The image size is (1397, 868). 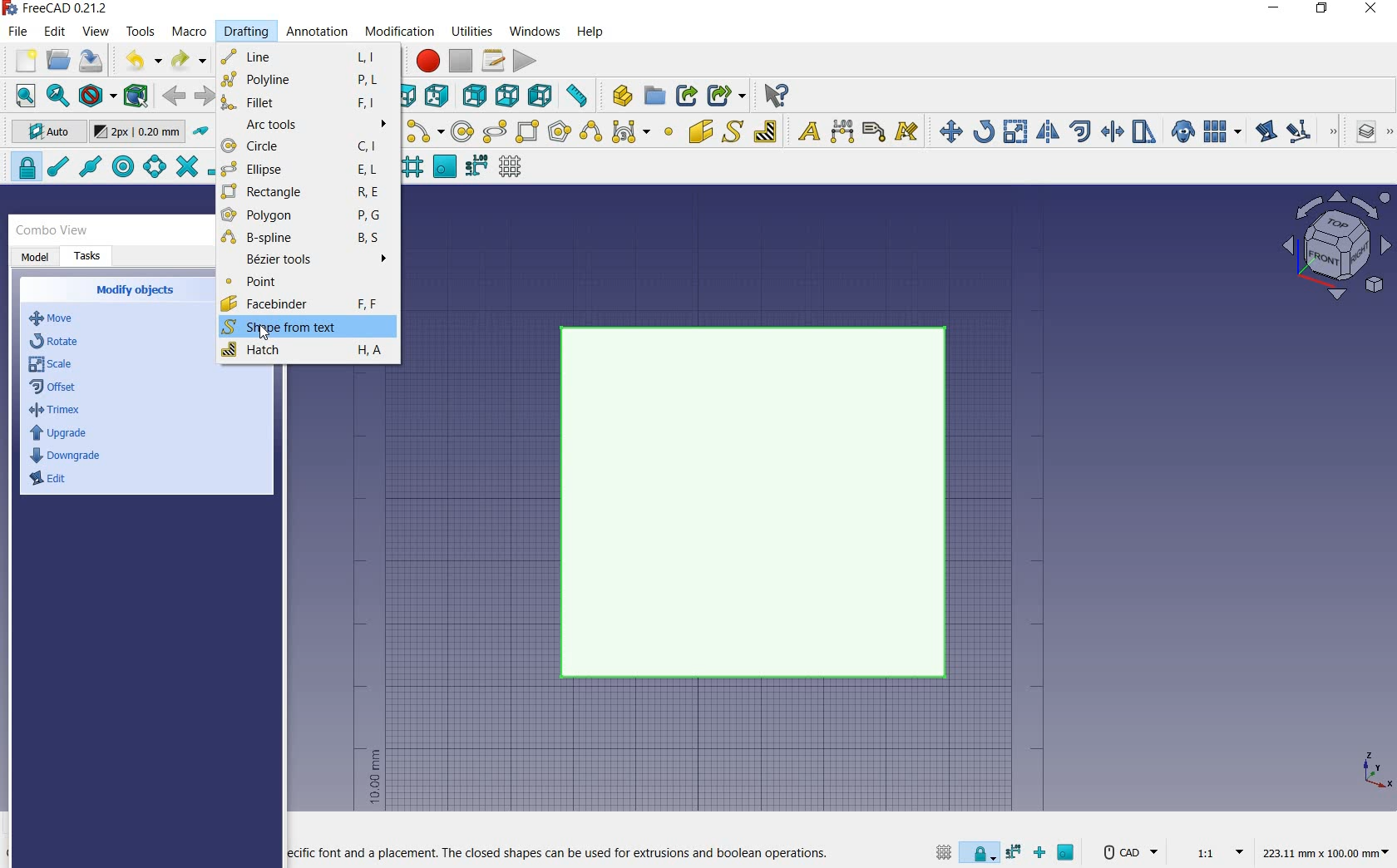 What do you see at coordinates (60, 8) in the screenshot?
I see `system name` at bounding box center [60, 8].